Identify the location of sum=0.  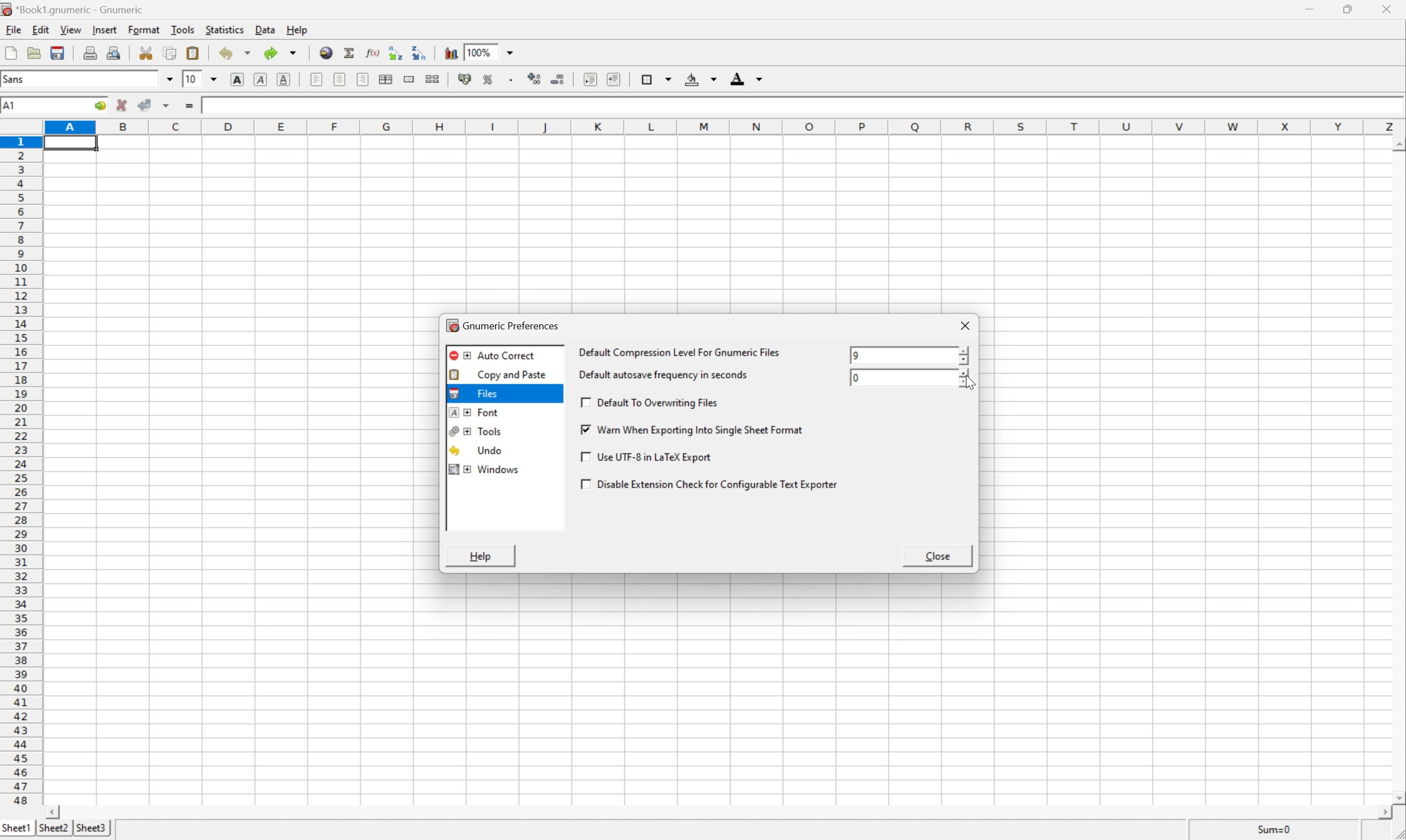
(1278, 832).